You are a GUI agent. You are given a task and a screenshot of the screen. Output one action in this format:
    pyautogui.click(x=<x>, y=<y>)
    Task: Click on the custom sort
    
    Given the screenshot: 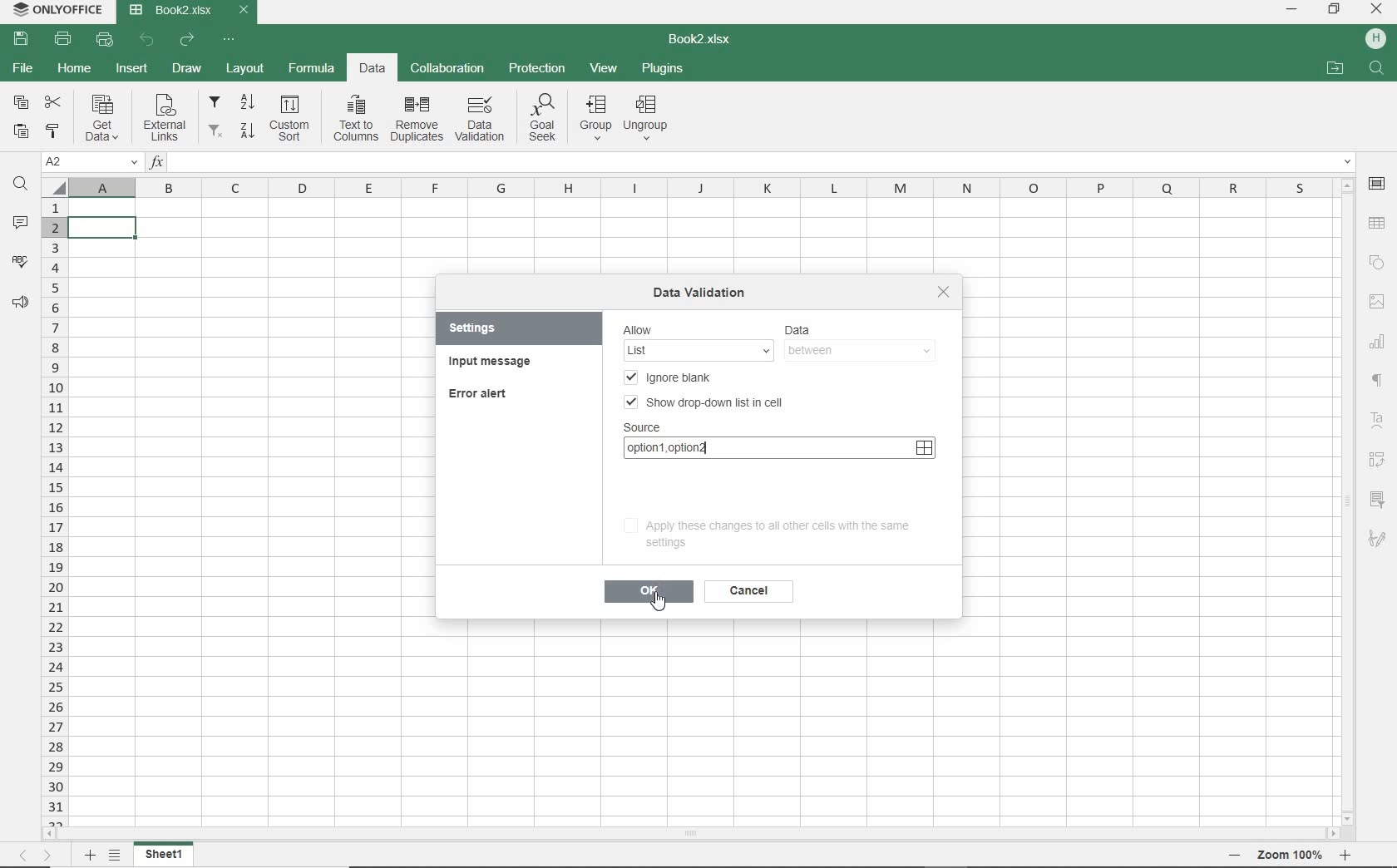 What is the action you would take?
    pyautogui.click(x=292, y=118)
    